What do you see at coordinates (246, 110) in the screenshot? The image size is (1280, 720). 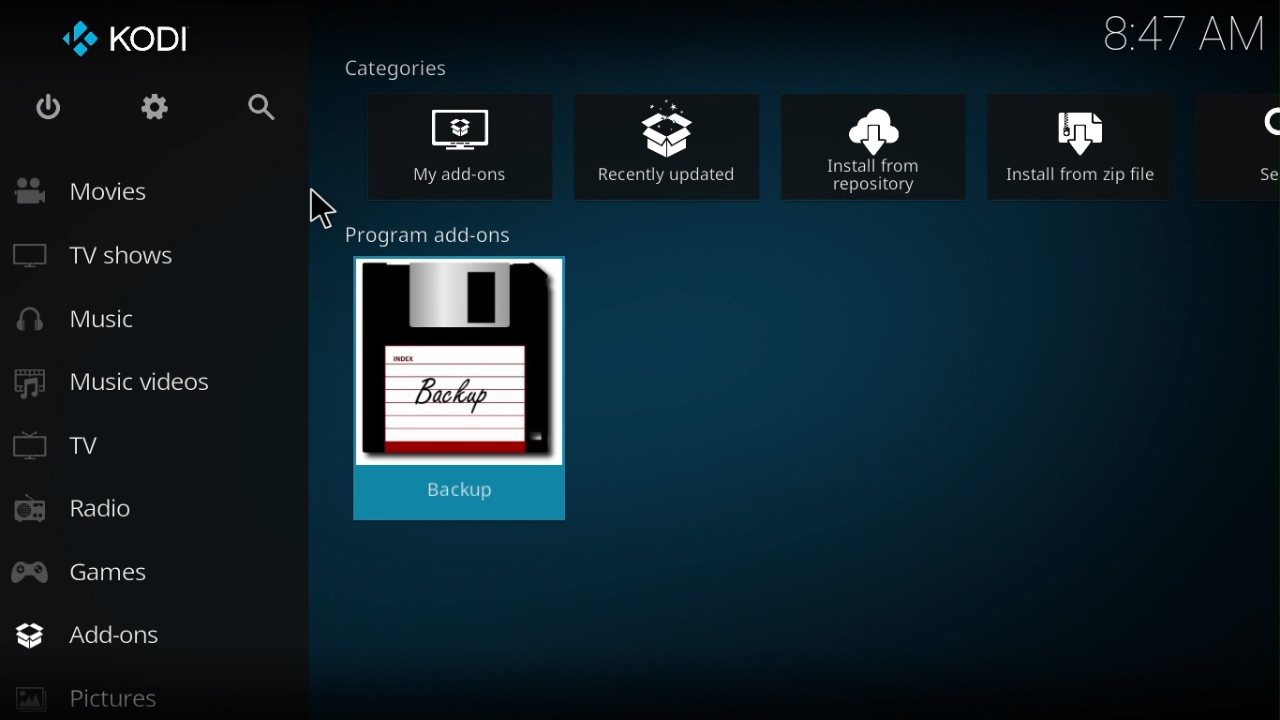 I see `Search` at bounding box center [246, 110].